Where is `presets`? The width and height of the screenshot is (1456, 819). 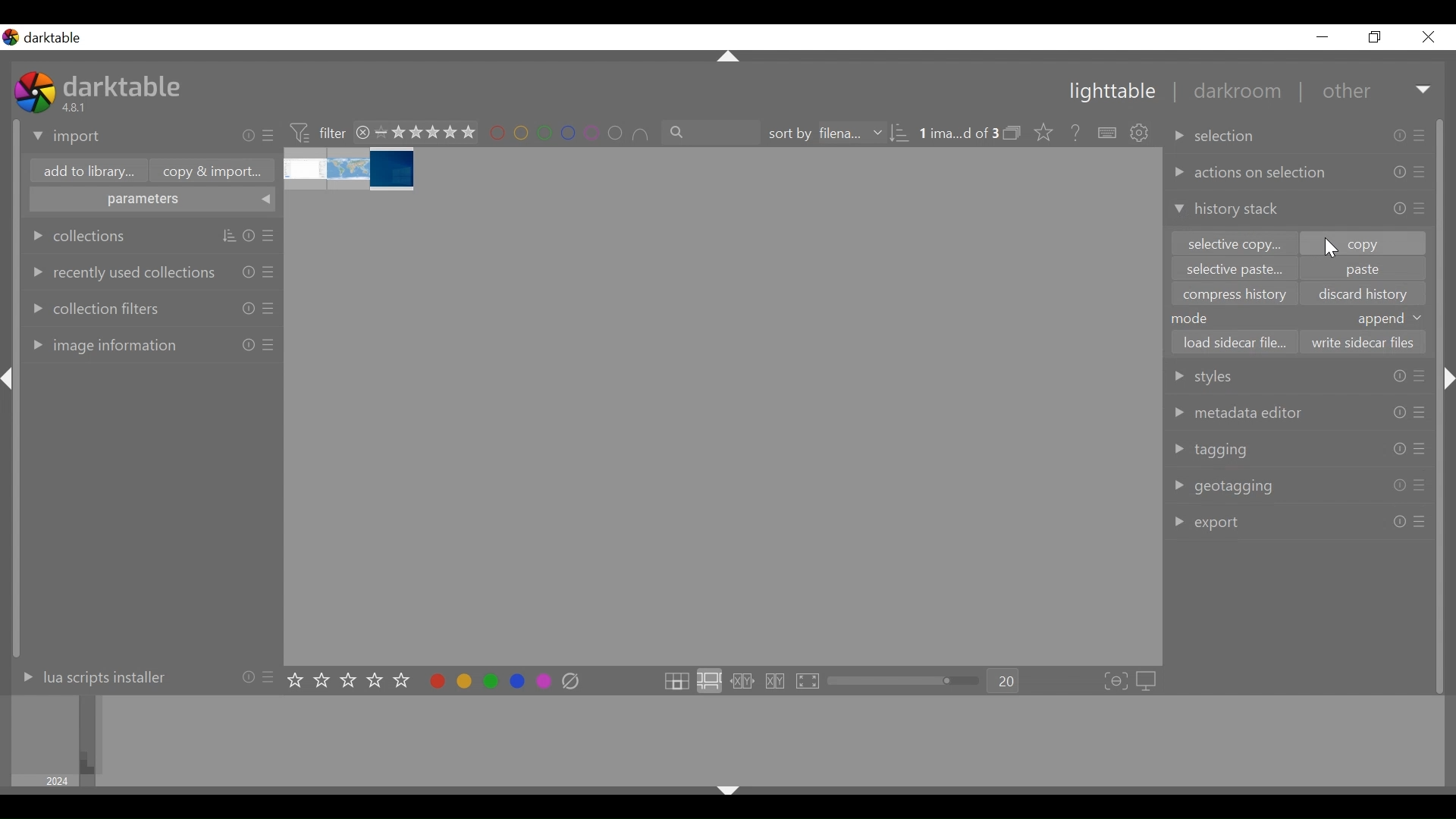 presets is located at coordinates (268, 345).